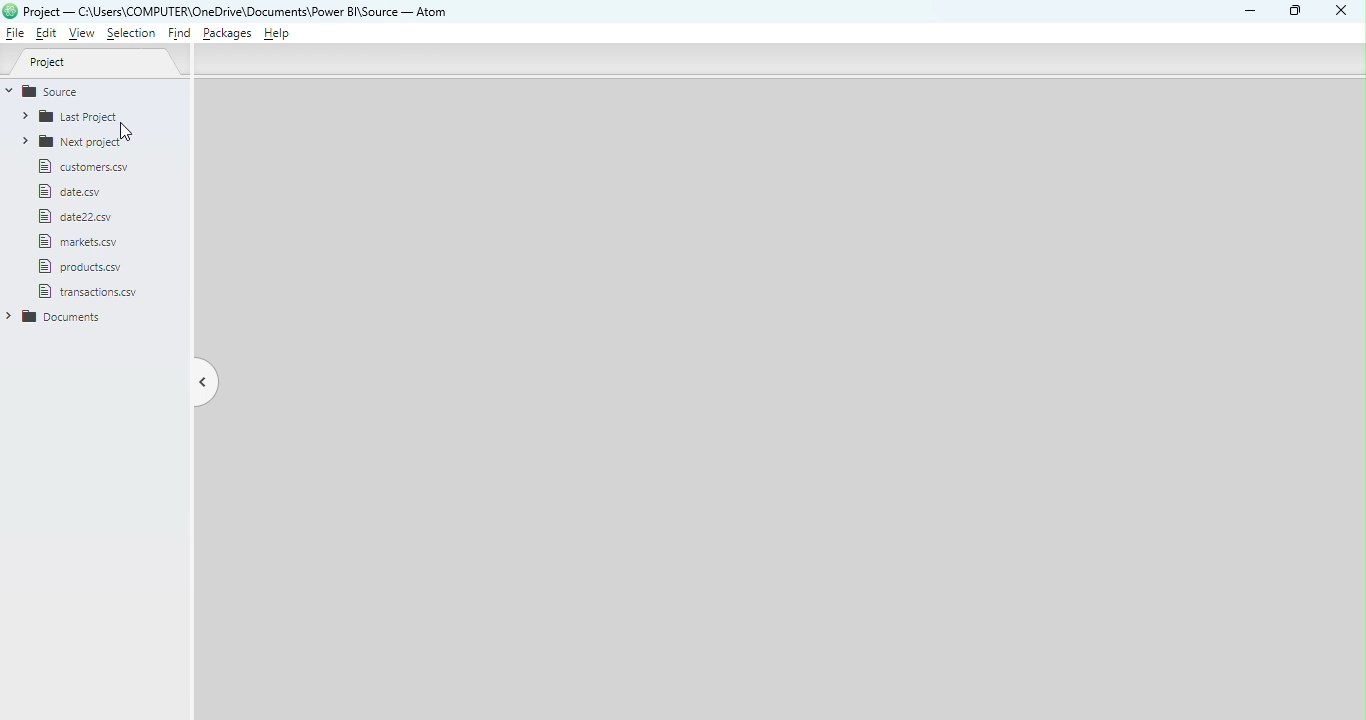  Describe the element at coordinates (78, 217) in the screenshot. I see `file` at that location.